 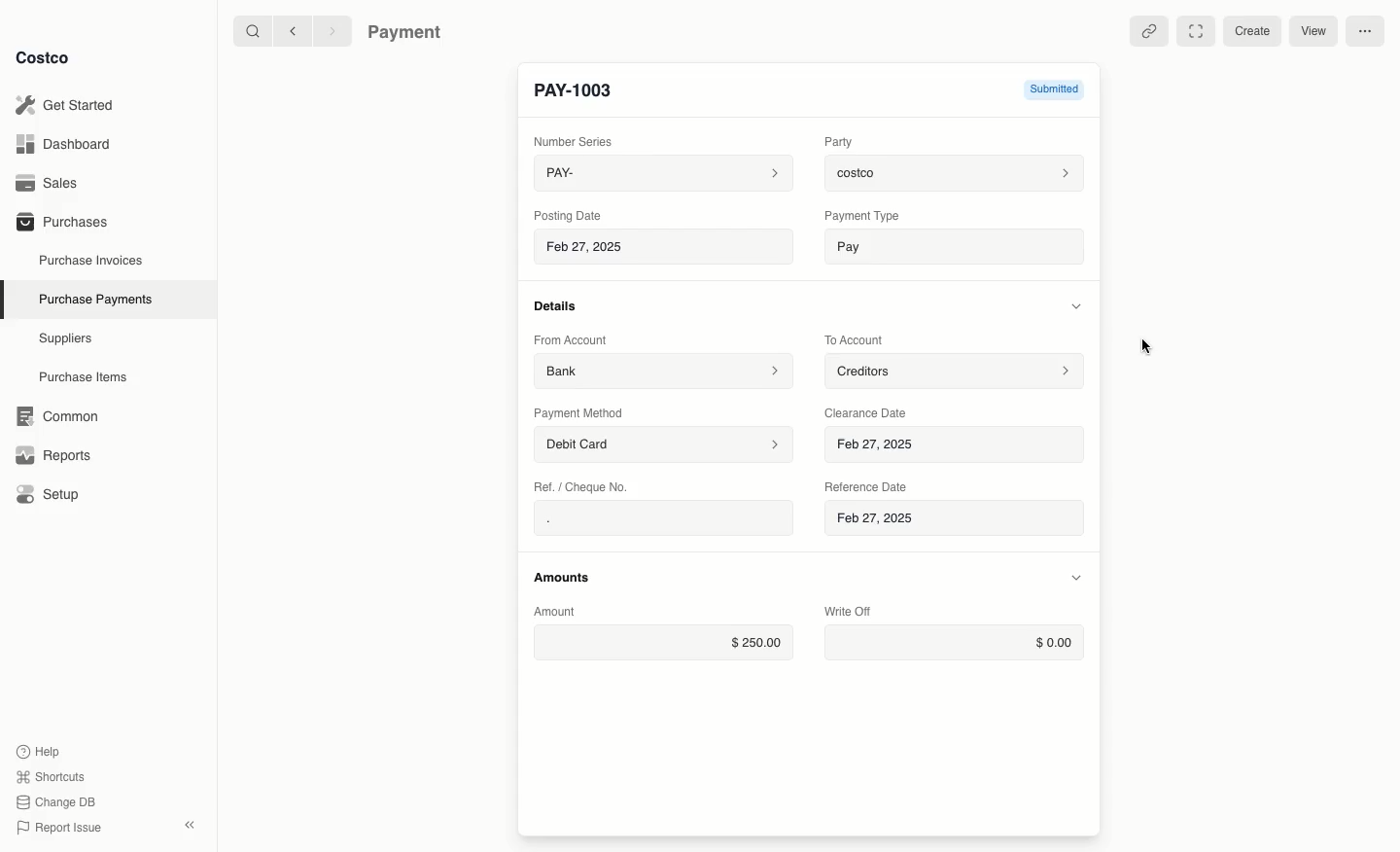 What do you see at coordinates (868, 411) in the screenshot?
I see `Clearance Date` at bounding box center [868, 411].